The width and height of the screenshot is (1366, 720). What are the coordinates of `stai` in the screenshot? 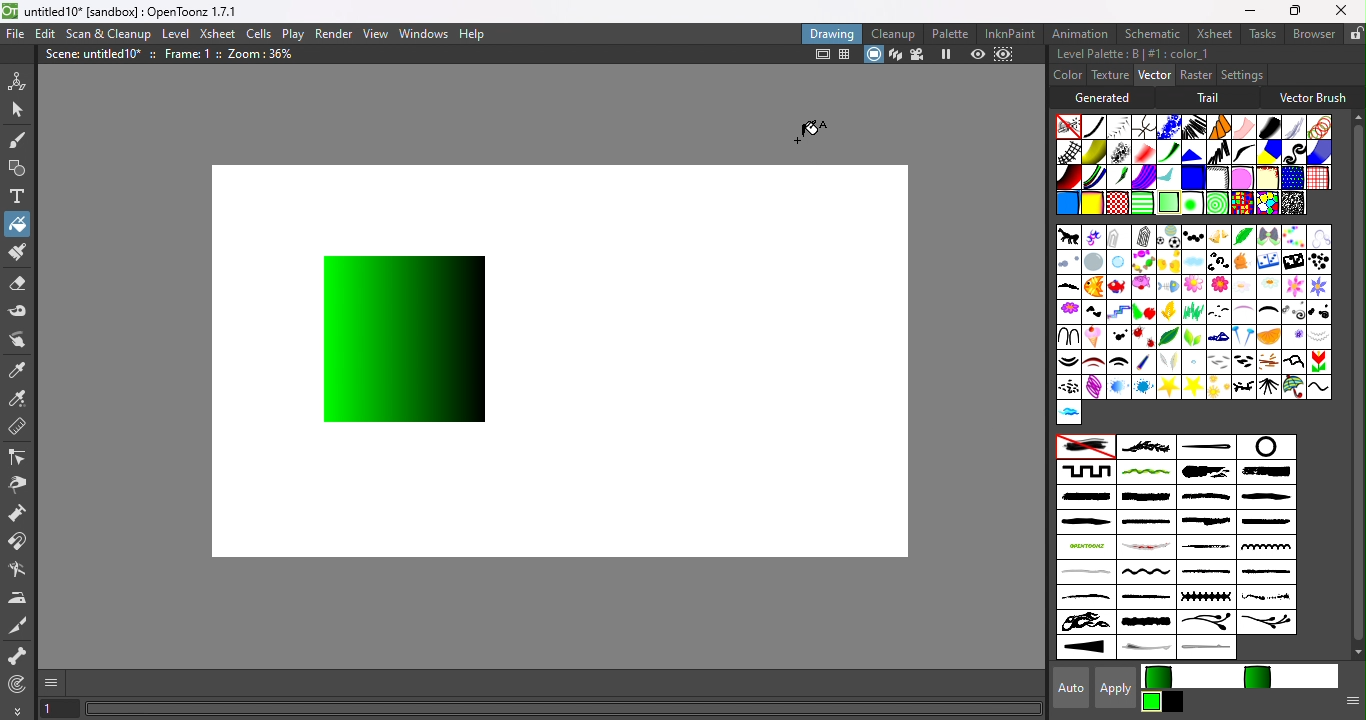 It's located at (1144, 387).